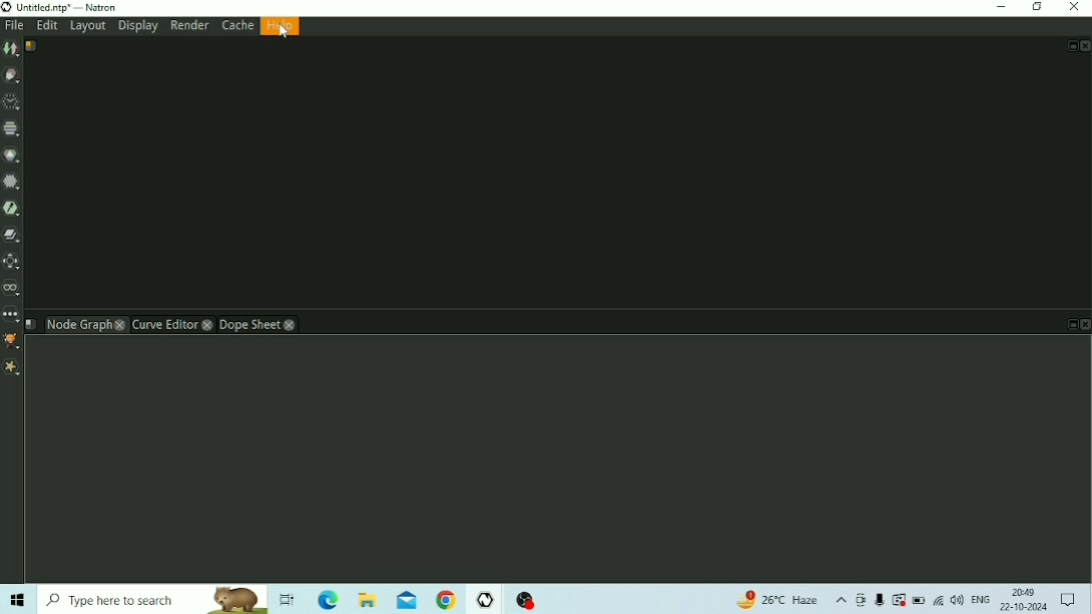  I want to click on Image, so click(10, 49).